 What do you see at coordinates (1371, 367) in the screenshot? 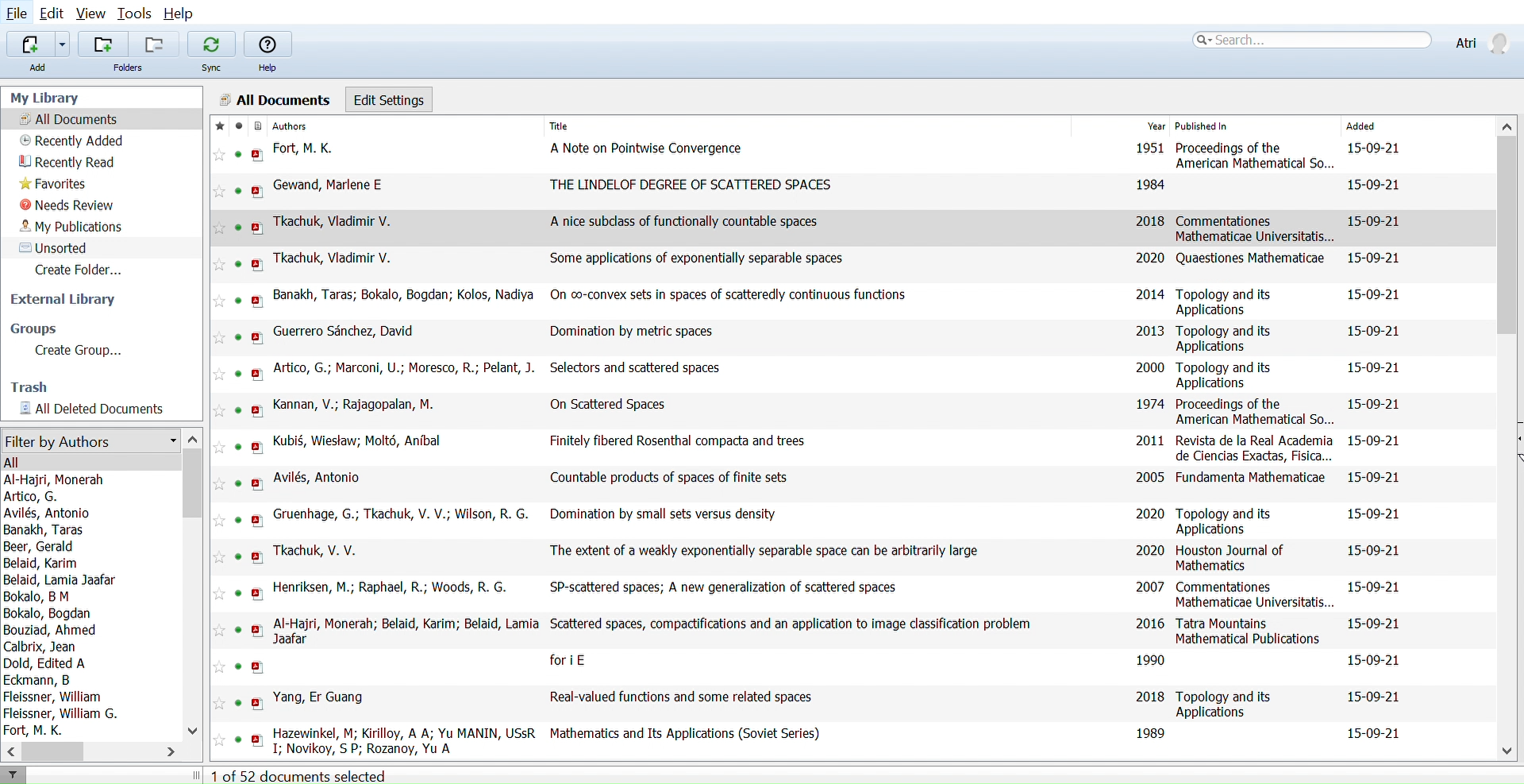
I see `15-09-21` at bounding box center [1371, 367].